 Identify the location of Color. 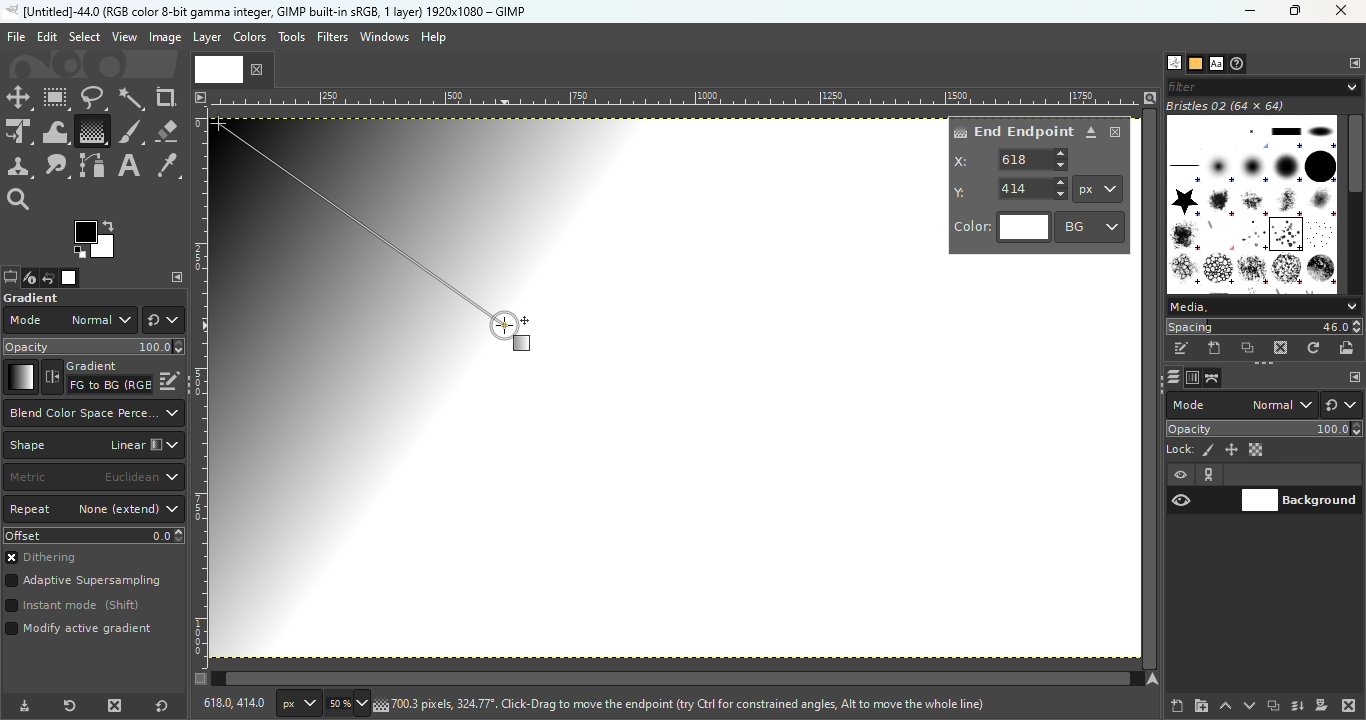
(1002, 228).